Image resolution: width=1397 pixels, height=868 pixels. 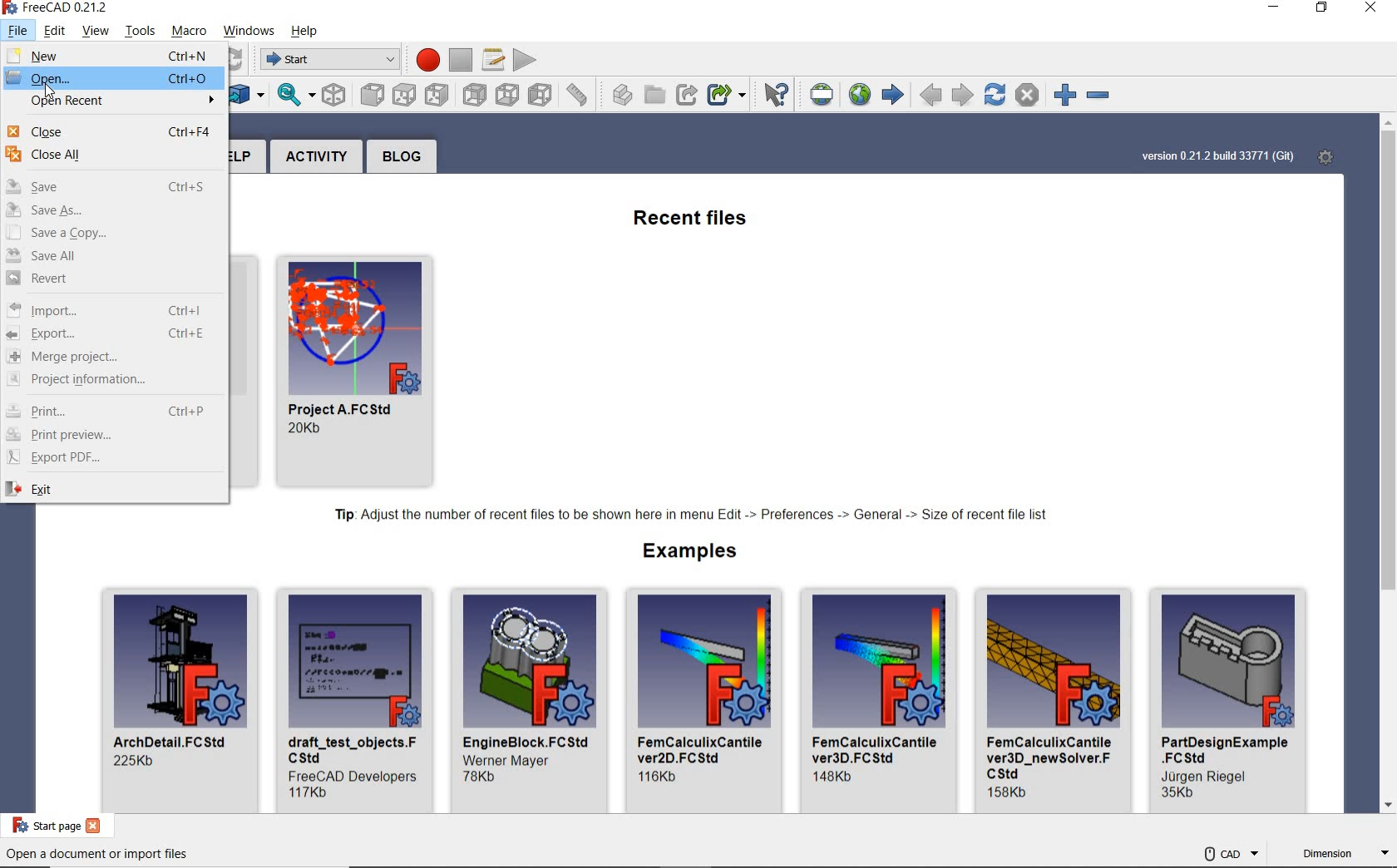 What do you see at coordinates (354, 325) in the screenshot?
I see `image` at bounding box center [354, 325].